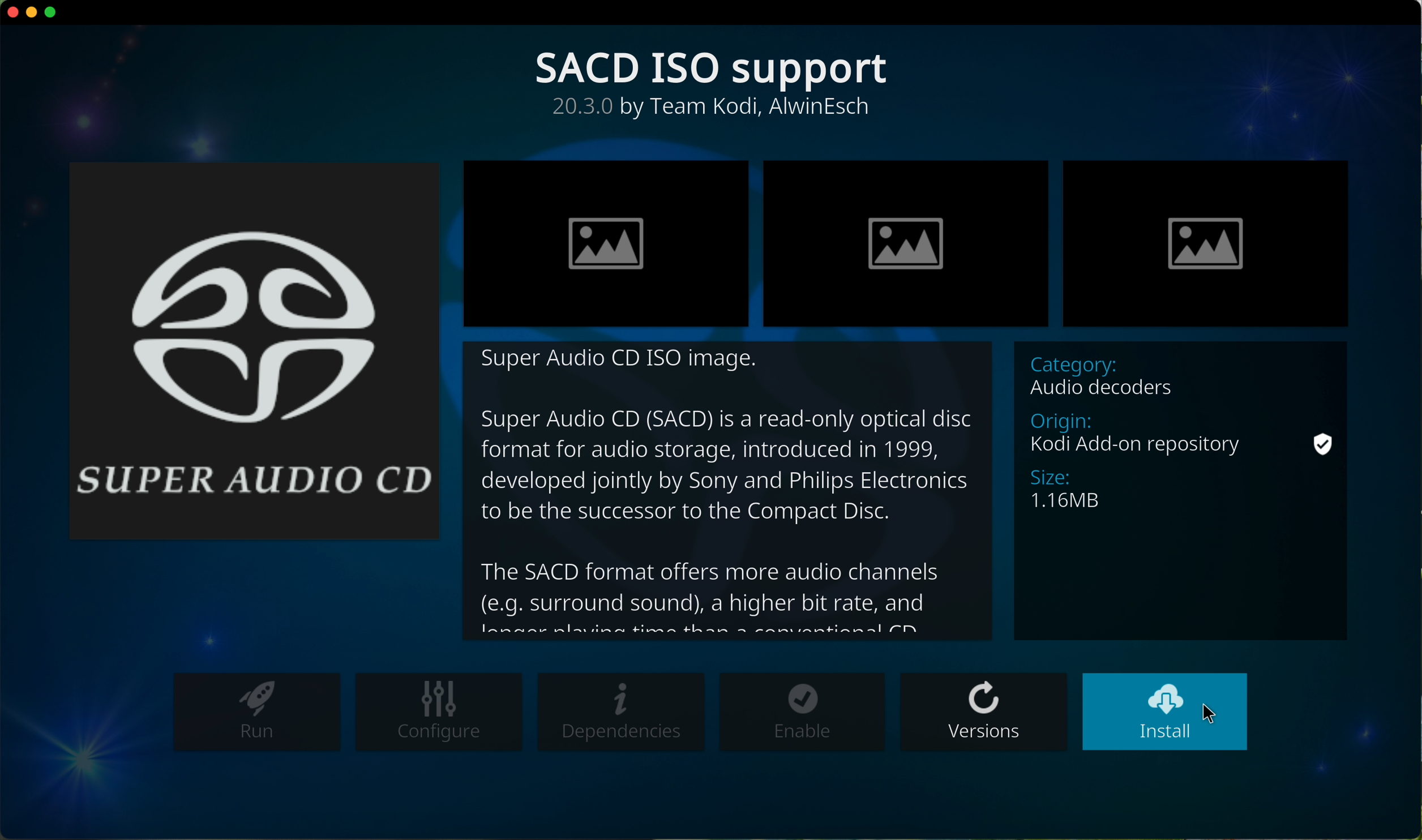 This screenshot has height=840, width=1422. I want to click on sacd iso support, so click(714, 68).